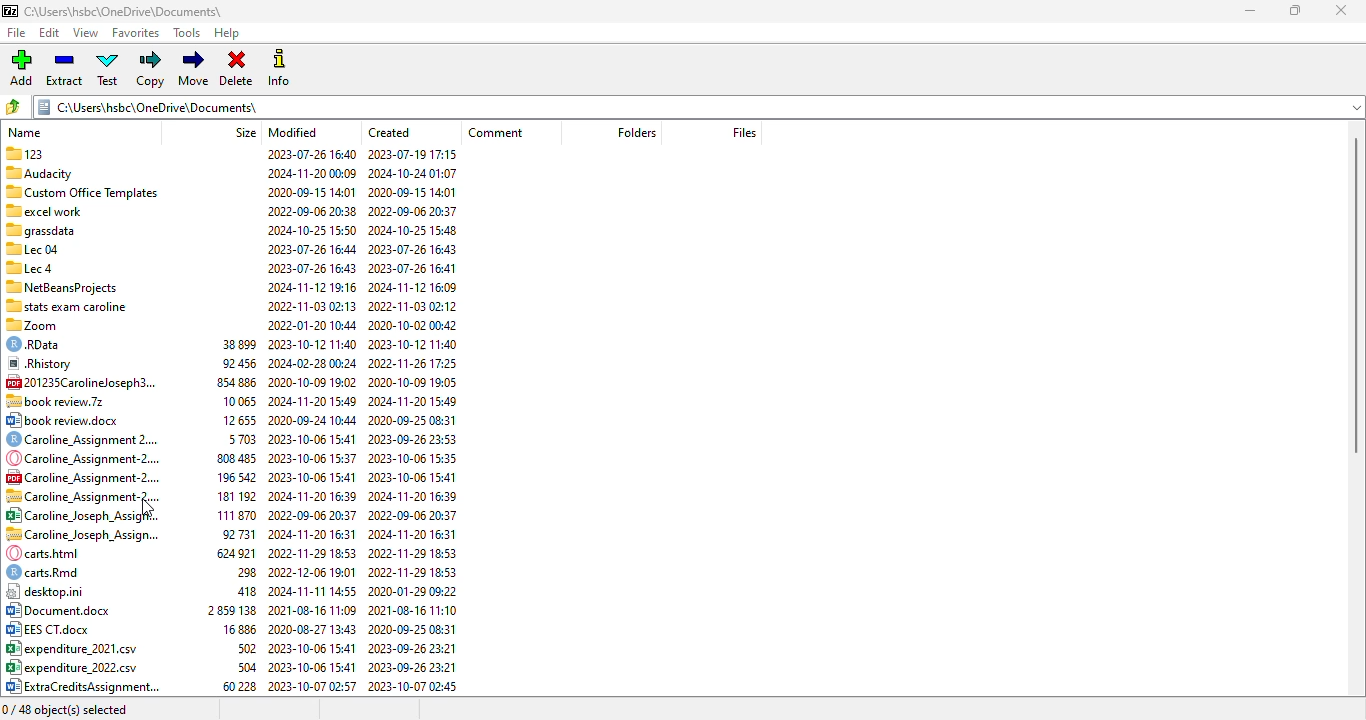 This screenshot has width=1366, height=720. Describe the element at coordinates (64, 68) in the screenshot. I see `extract` at that location.